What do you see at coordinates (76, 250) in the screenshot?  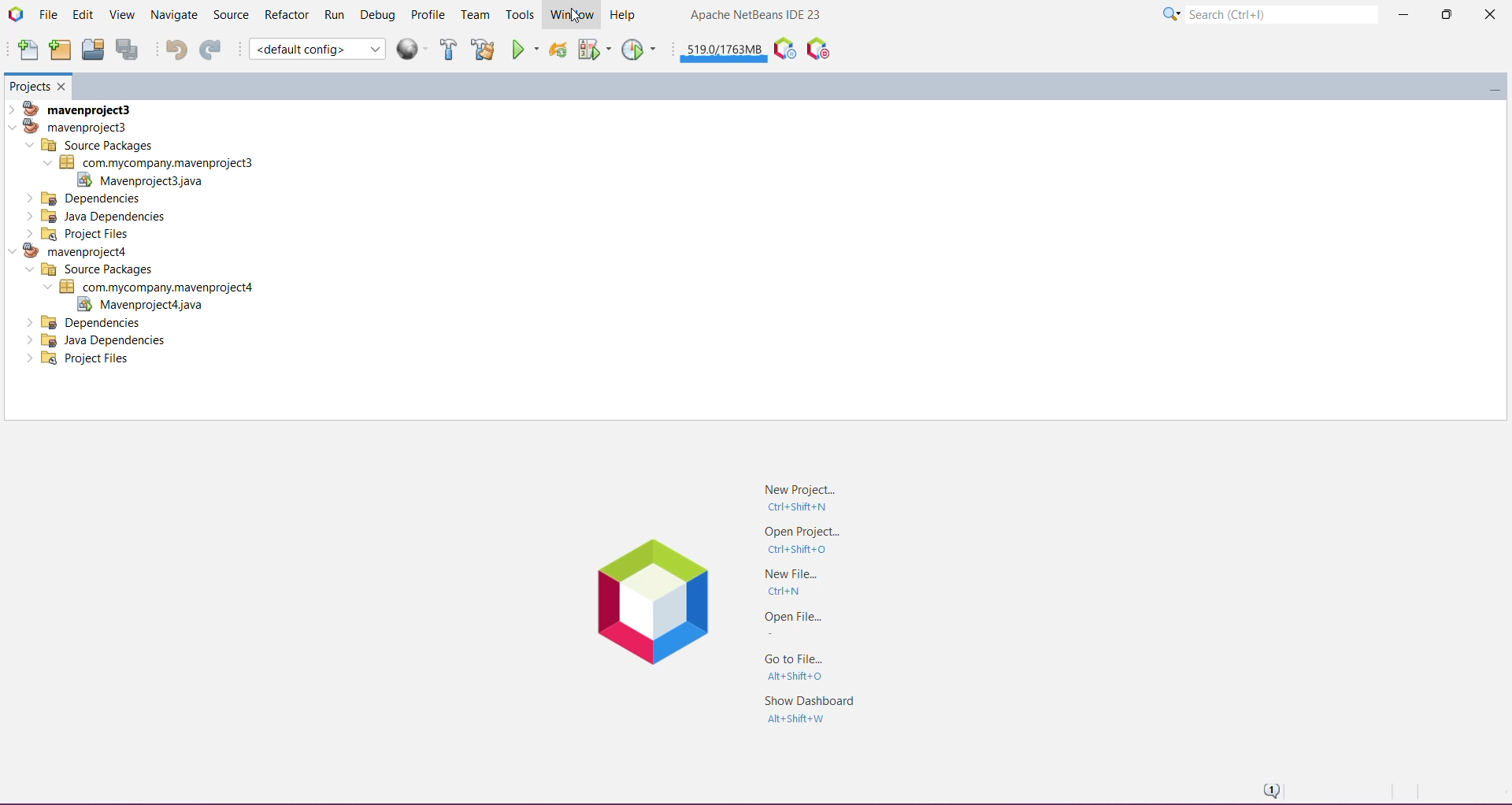 I see `mavenproject4` at bounding box center [76, 250].